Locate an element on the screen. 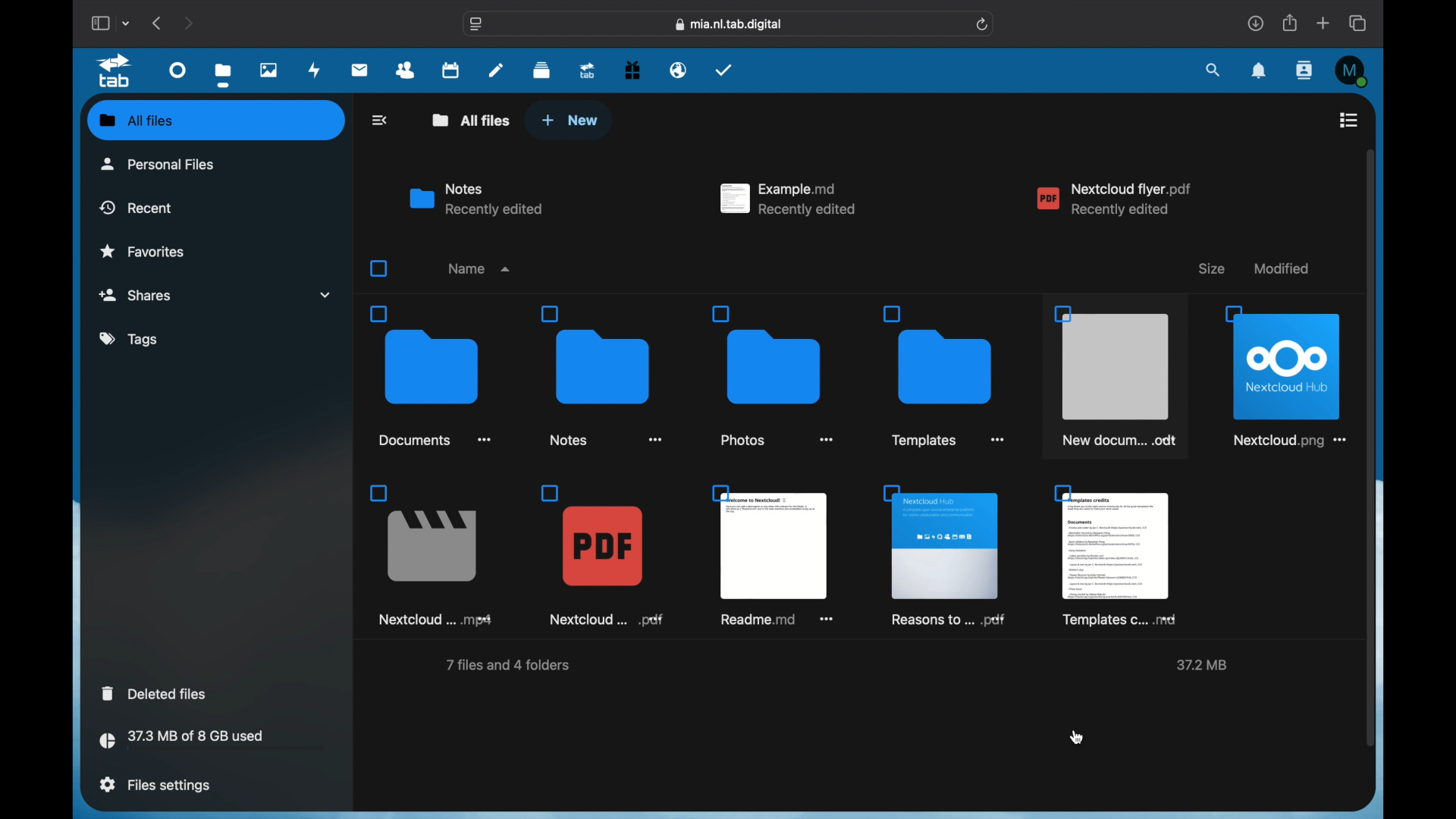  name is located at coordinates (477, 267).